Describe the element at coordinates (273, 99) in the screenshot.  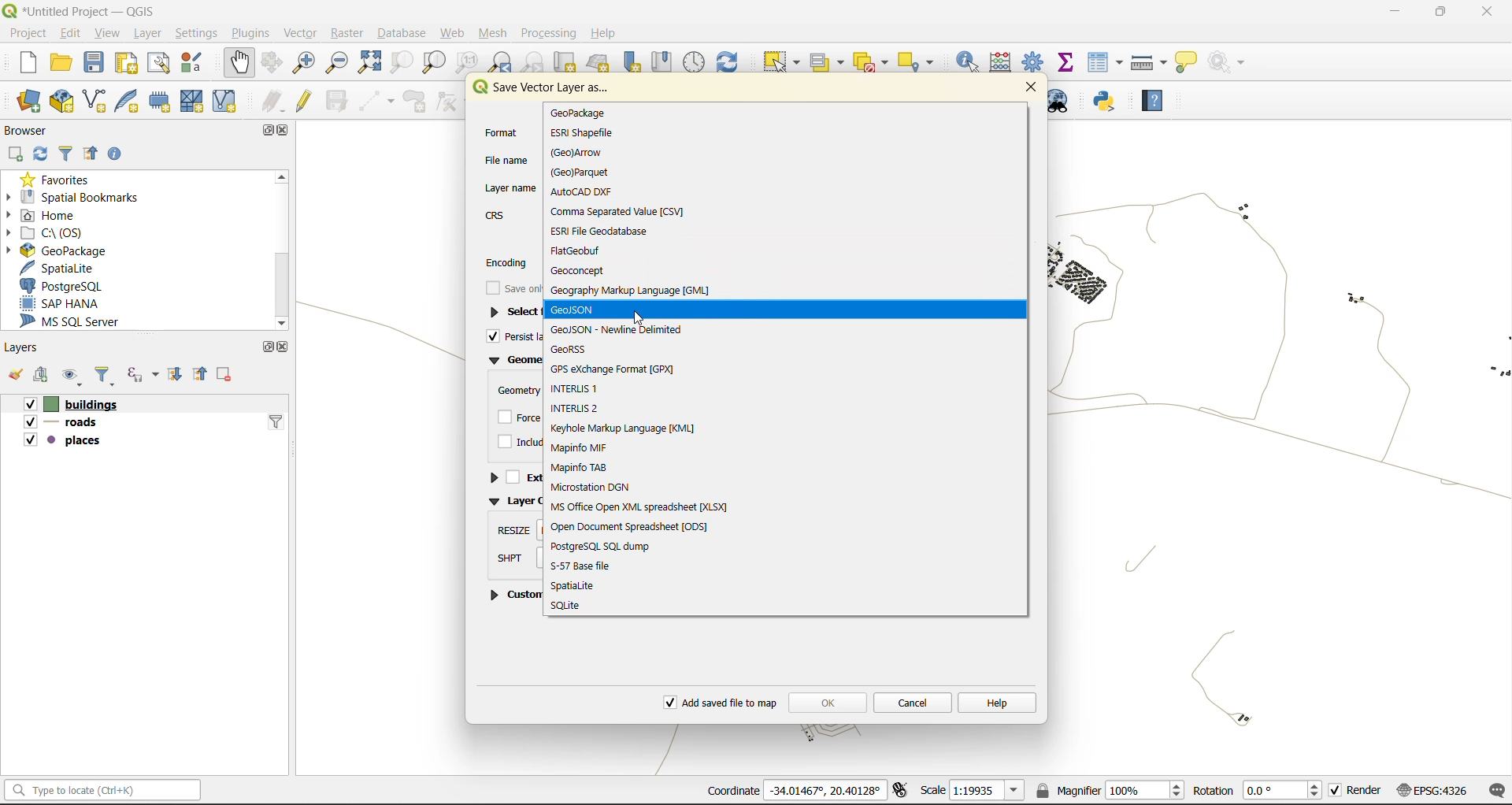
I see `edits` at that location.